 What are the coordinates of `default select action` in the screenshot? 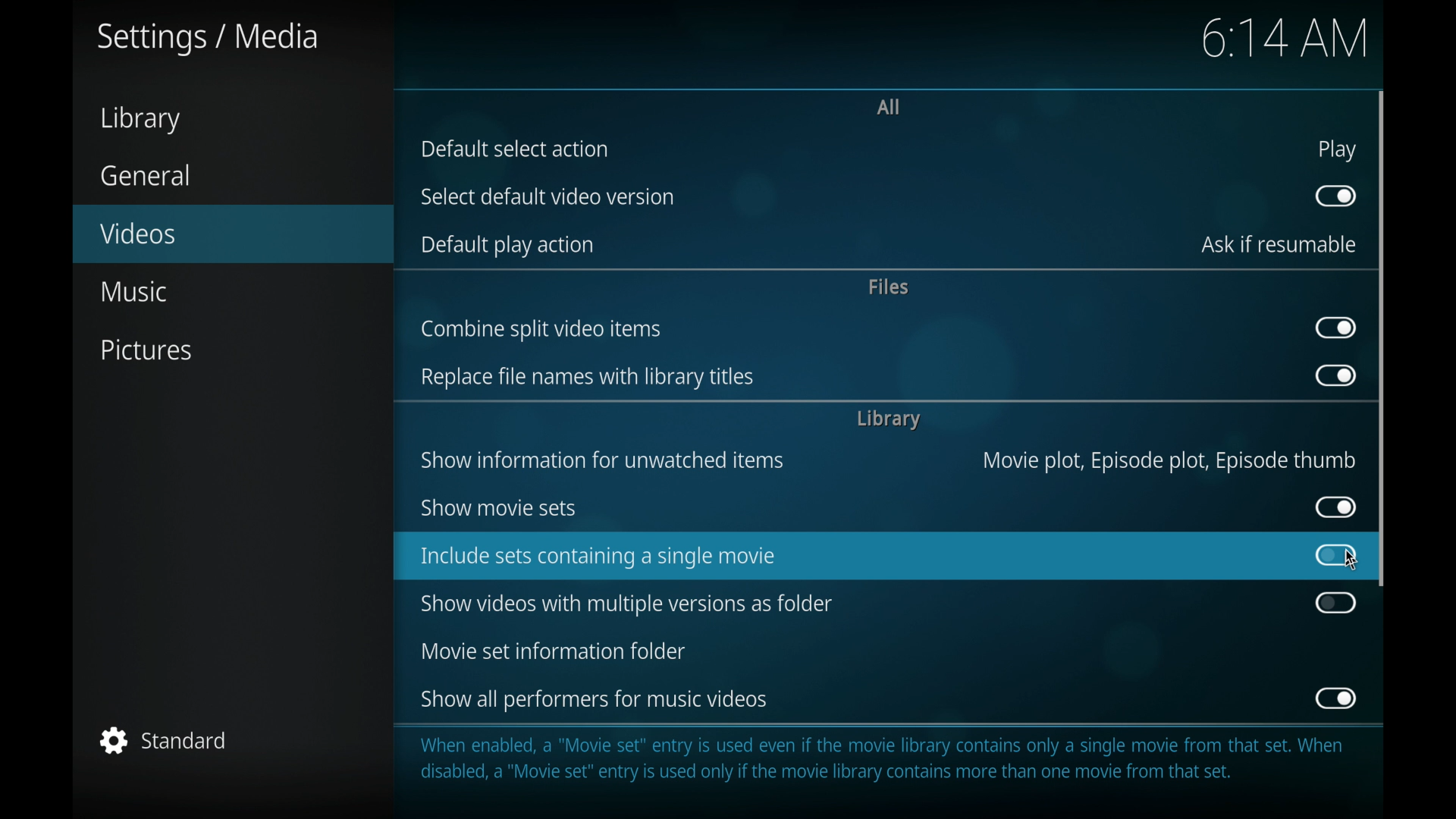 It's located at (516, 149).